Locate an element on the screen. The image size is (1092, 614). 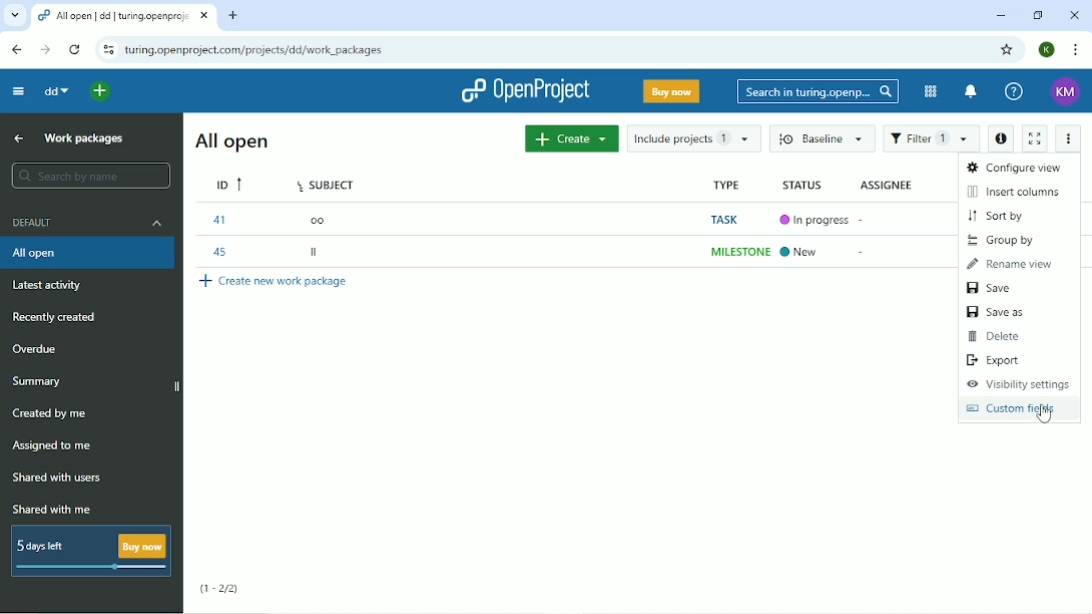
search tabs is located at coordinates (15, 16).